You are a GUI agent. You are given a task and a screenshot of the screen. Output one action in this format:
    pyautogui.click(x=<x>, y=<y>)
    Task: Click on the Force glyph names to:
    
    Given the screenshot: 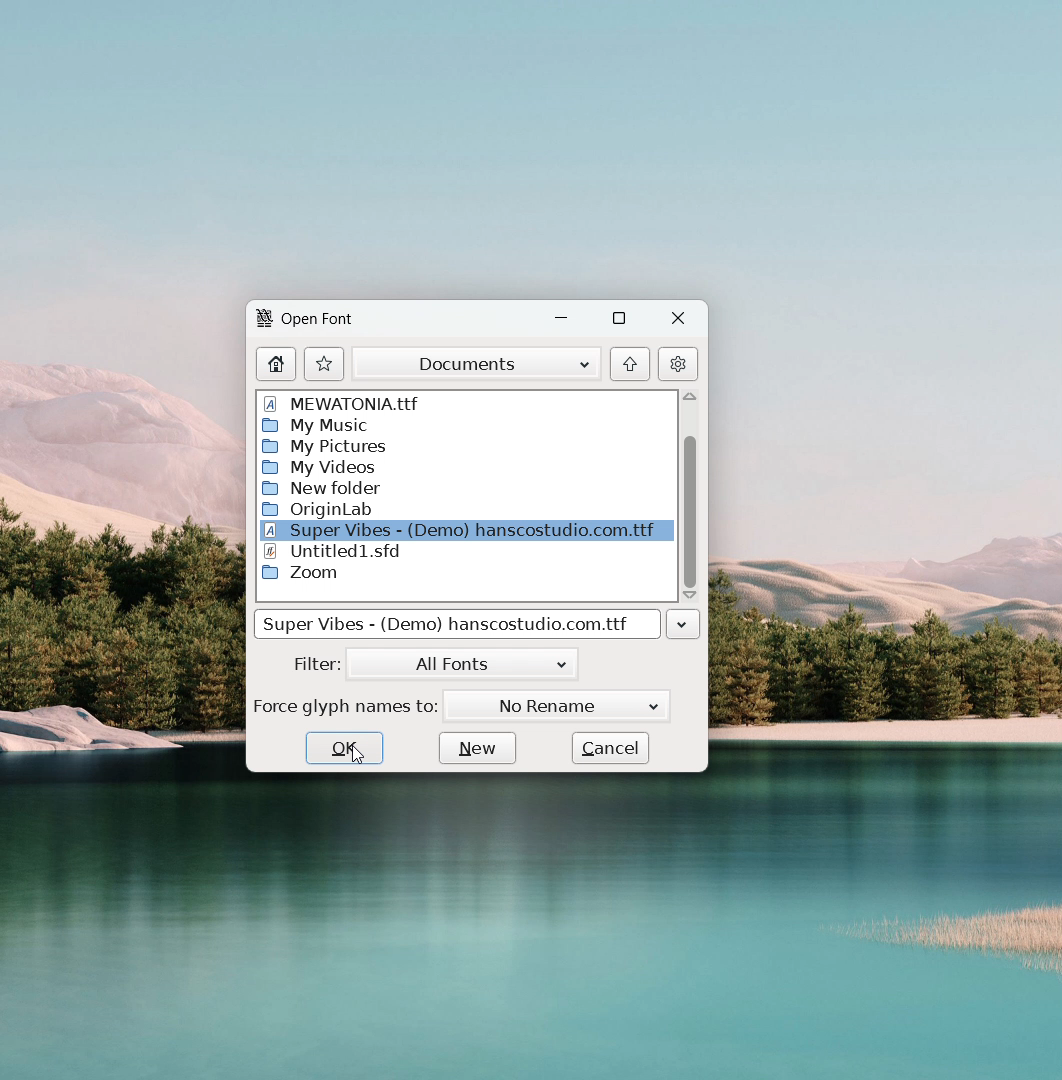 What is the action you would take?
    pyautogui.click(x=345, y=708)
    